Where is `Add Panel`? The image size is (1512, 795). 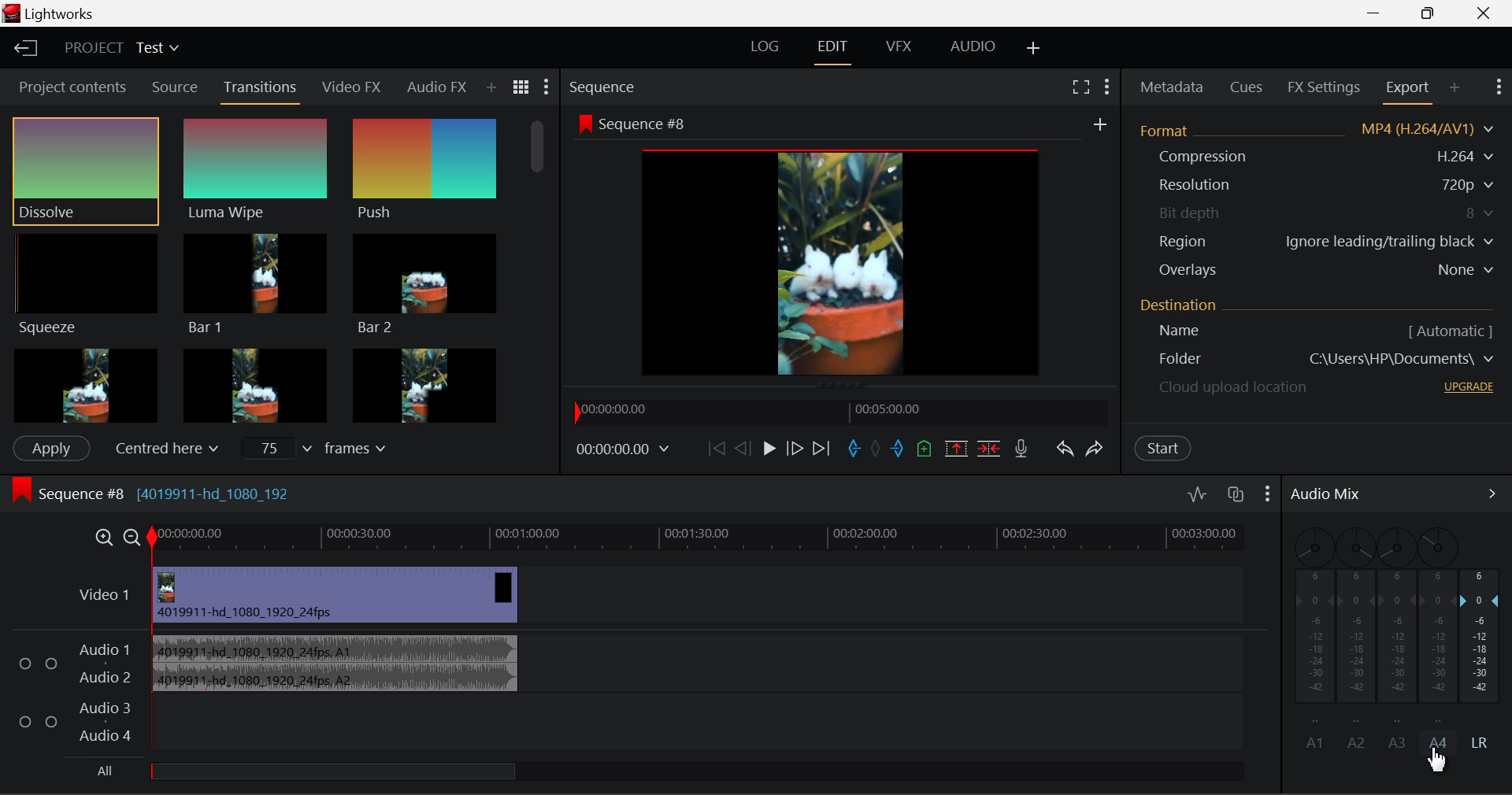 Add Panel is located at coordinates (491, 87).